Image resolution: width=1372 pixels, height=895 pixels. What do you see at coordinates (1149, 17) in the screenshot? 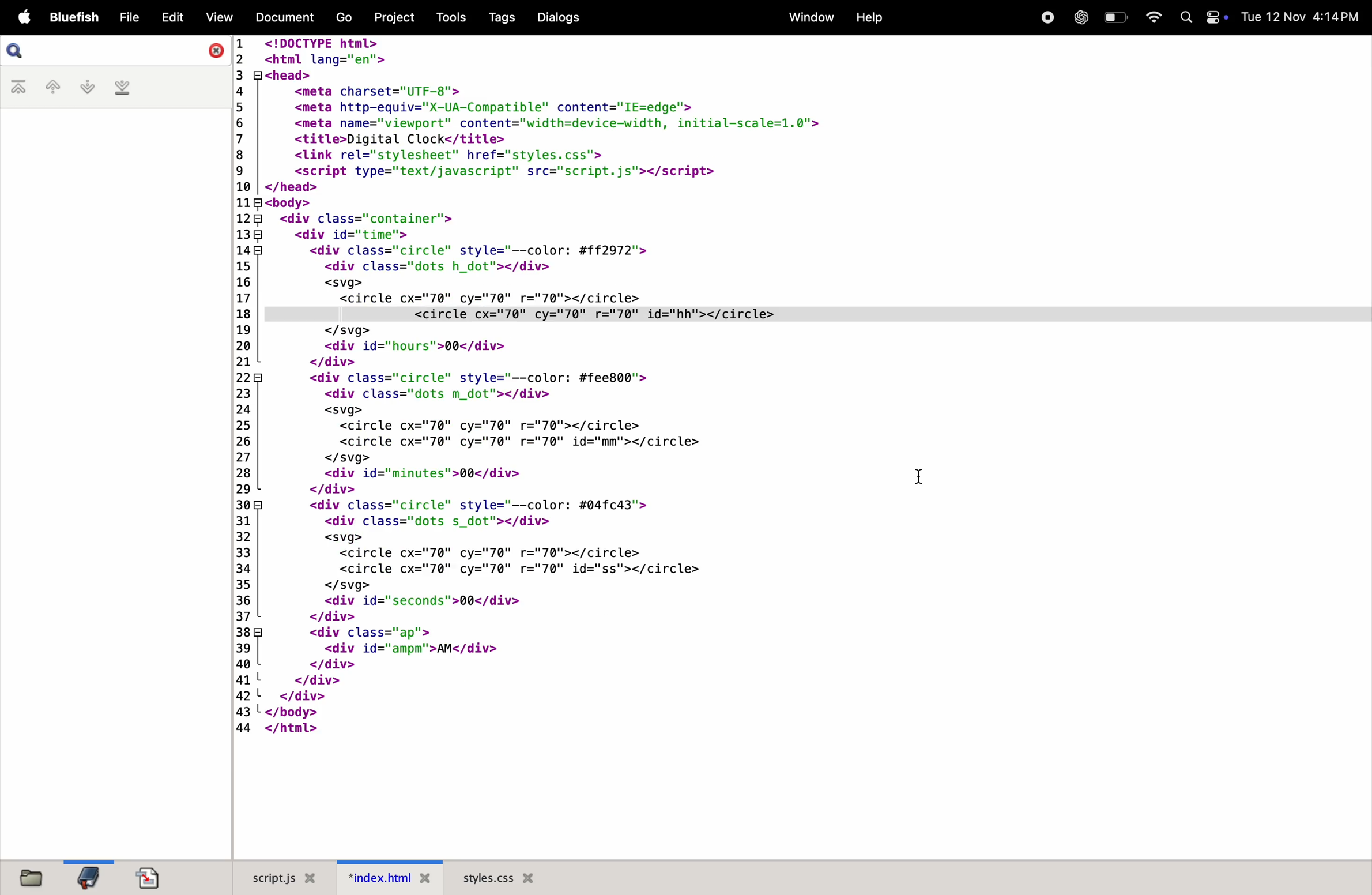
I see `wifi` at bounding box center [1149, 17].